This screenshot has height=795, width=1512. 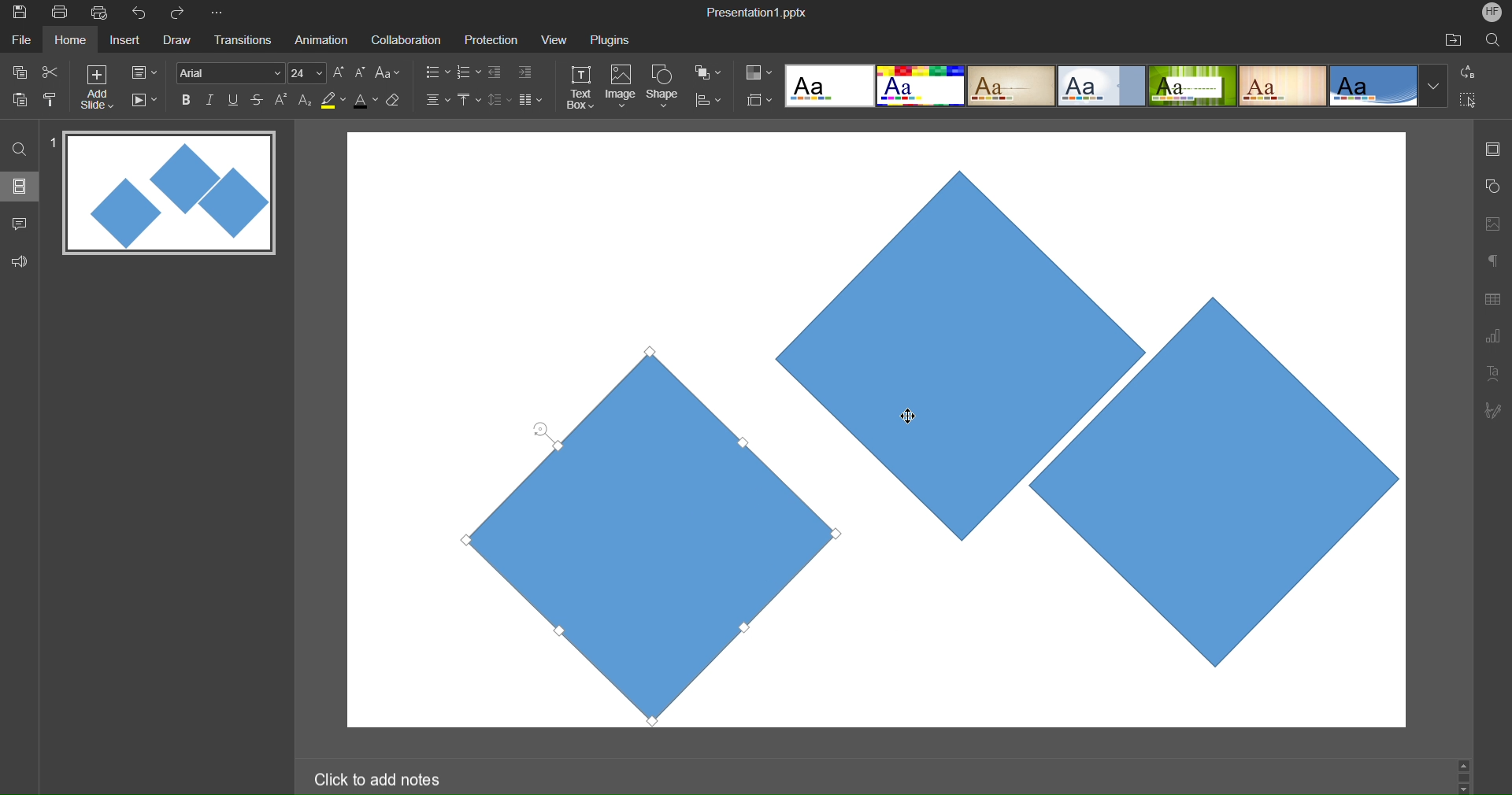 What do you see at coordinates (59, 13) in the screenshot?
I see `Print` at bounding box center [59, 13].